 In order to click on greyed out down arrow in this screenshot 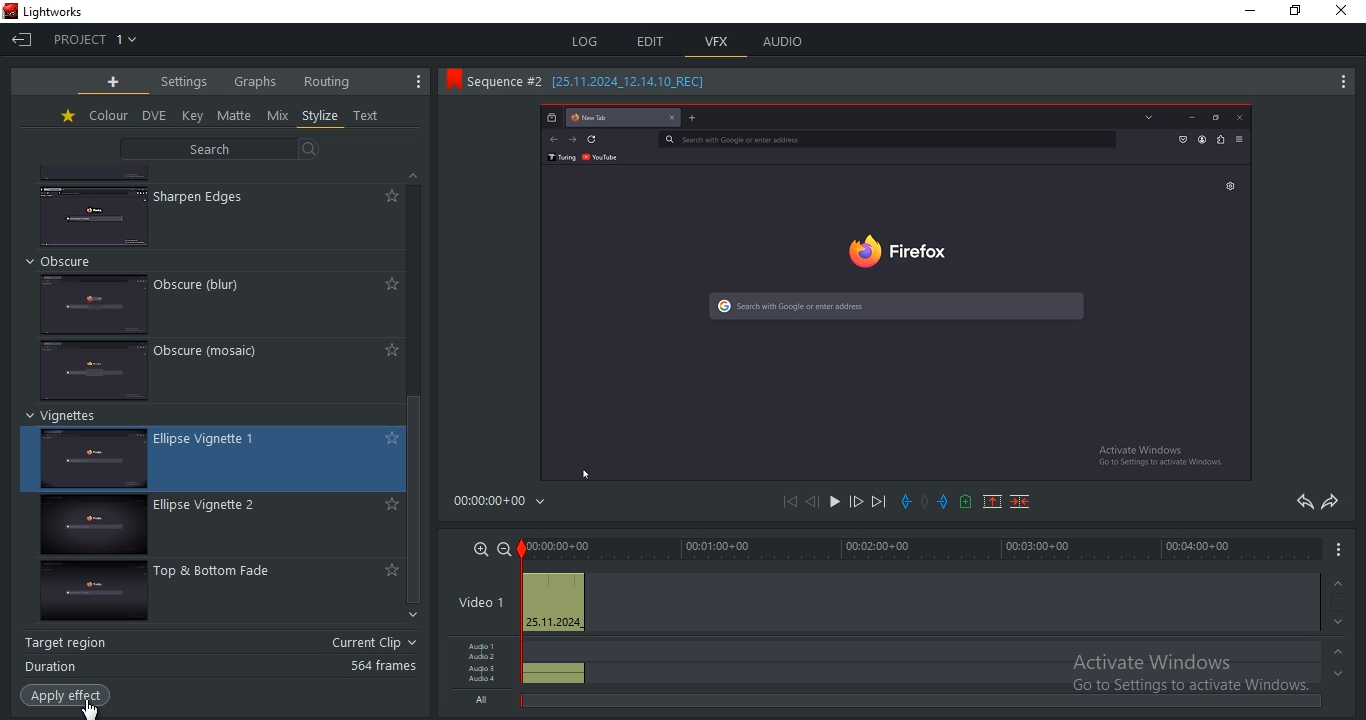, I will do `click(1342, 622)`.